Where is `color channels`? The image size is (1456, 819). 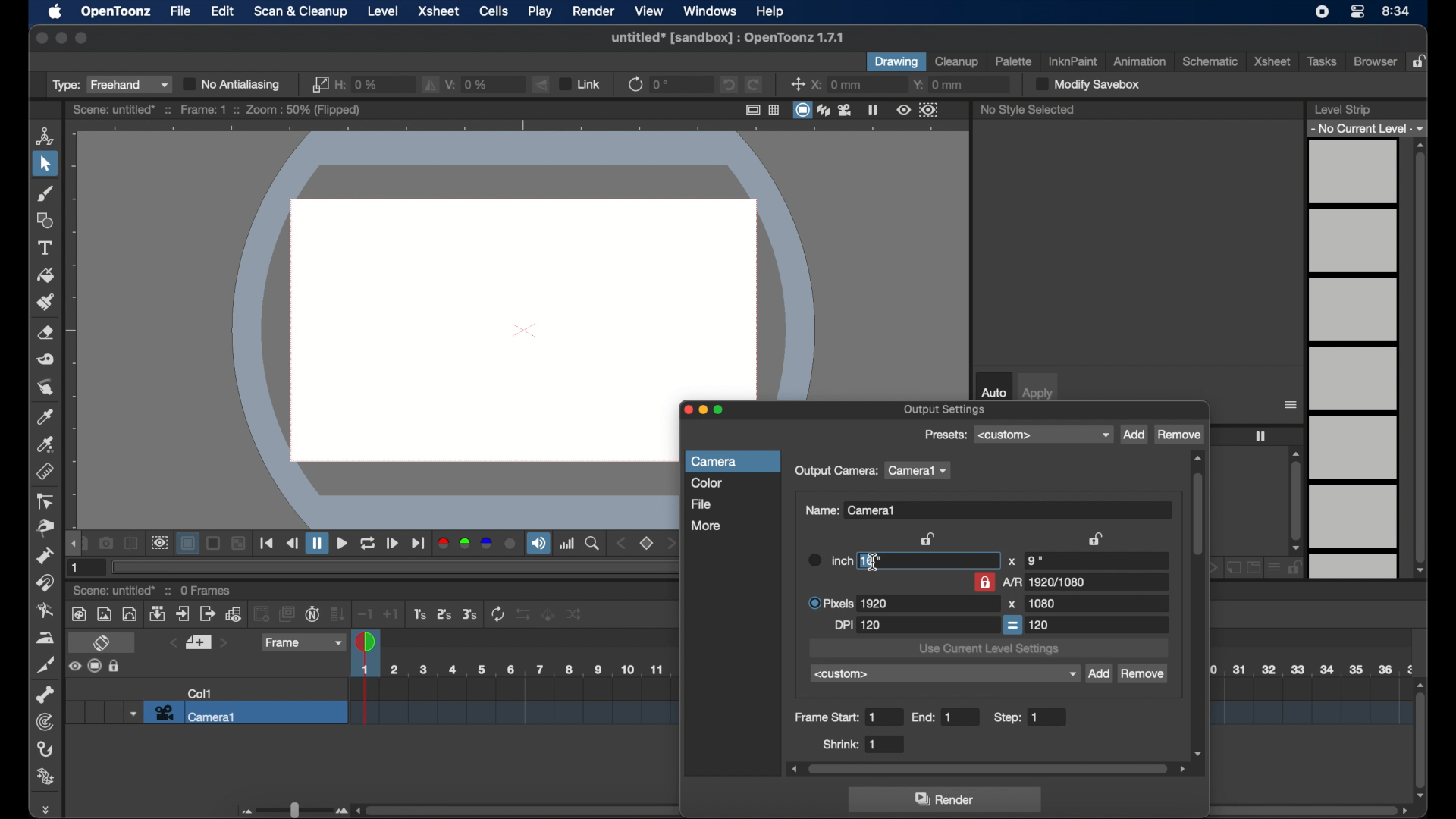
color channels is located at coordinates (477, 544).